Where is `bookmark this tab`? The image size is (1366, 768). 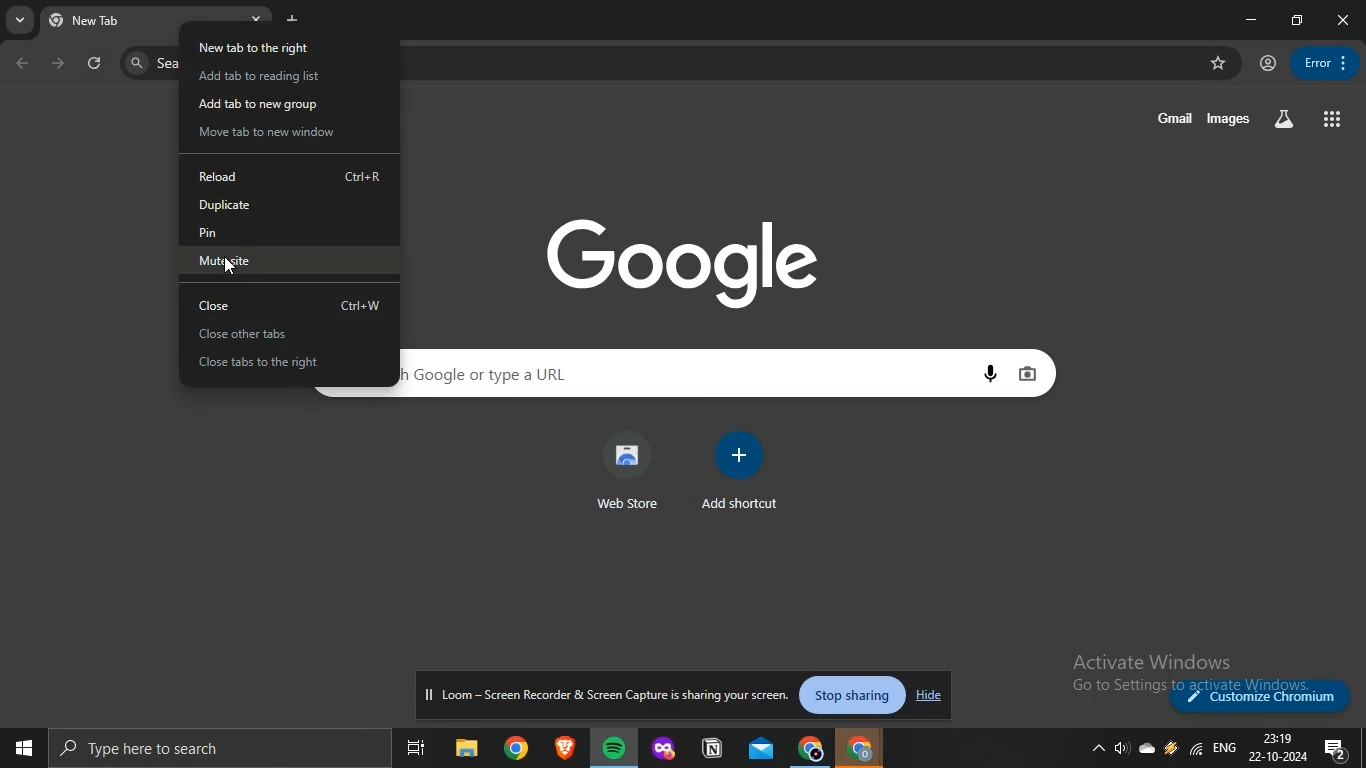 bookmark this tab is located at coordinates (1220, 64).